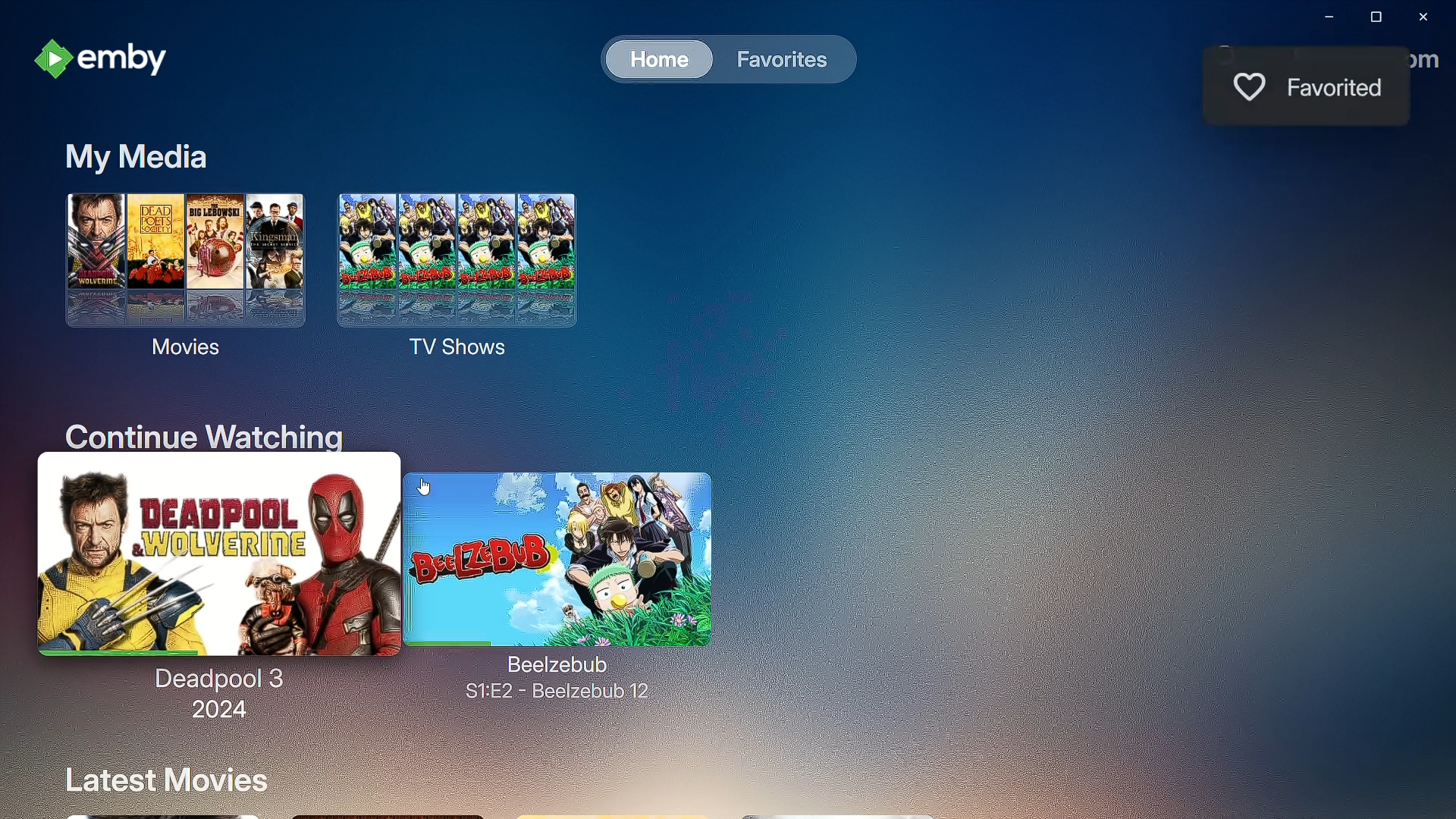  I want to click on Continue Watching, so click(201, 431).